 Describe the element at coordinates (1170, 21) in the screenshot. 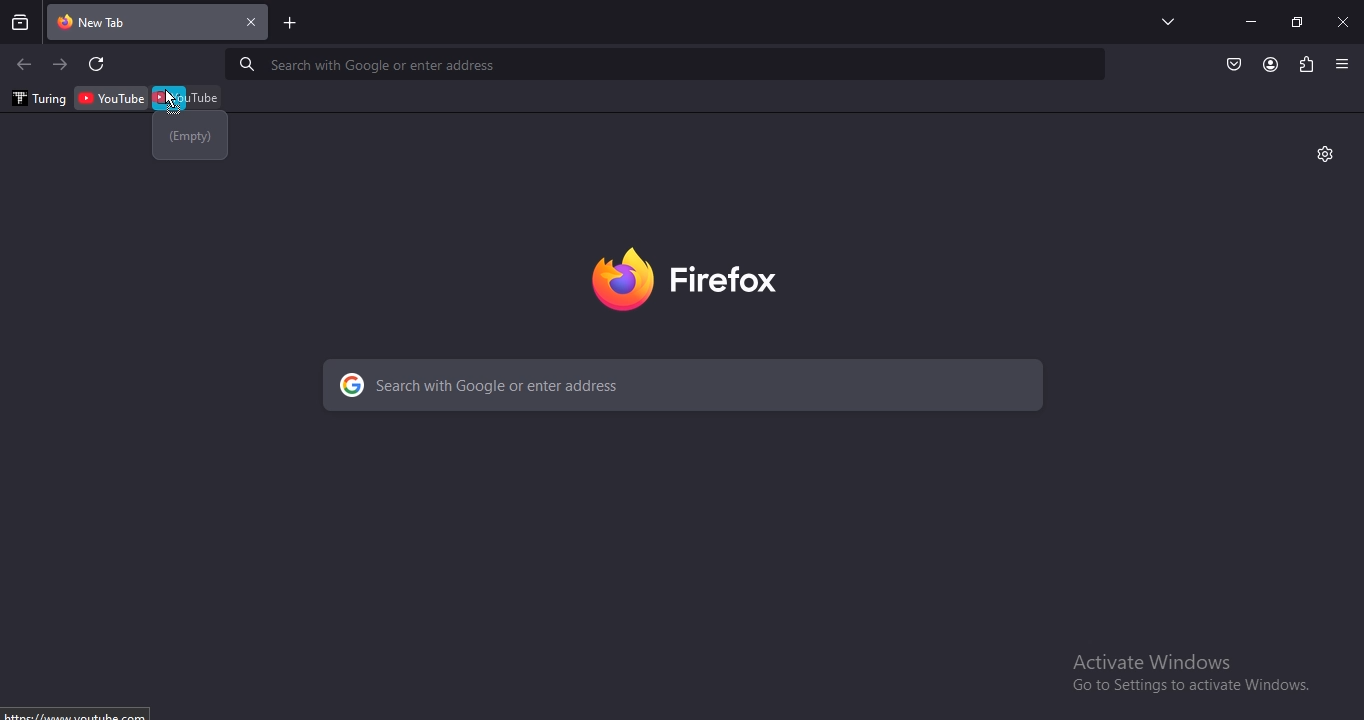

I see `search tabs` at that location.